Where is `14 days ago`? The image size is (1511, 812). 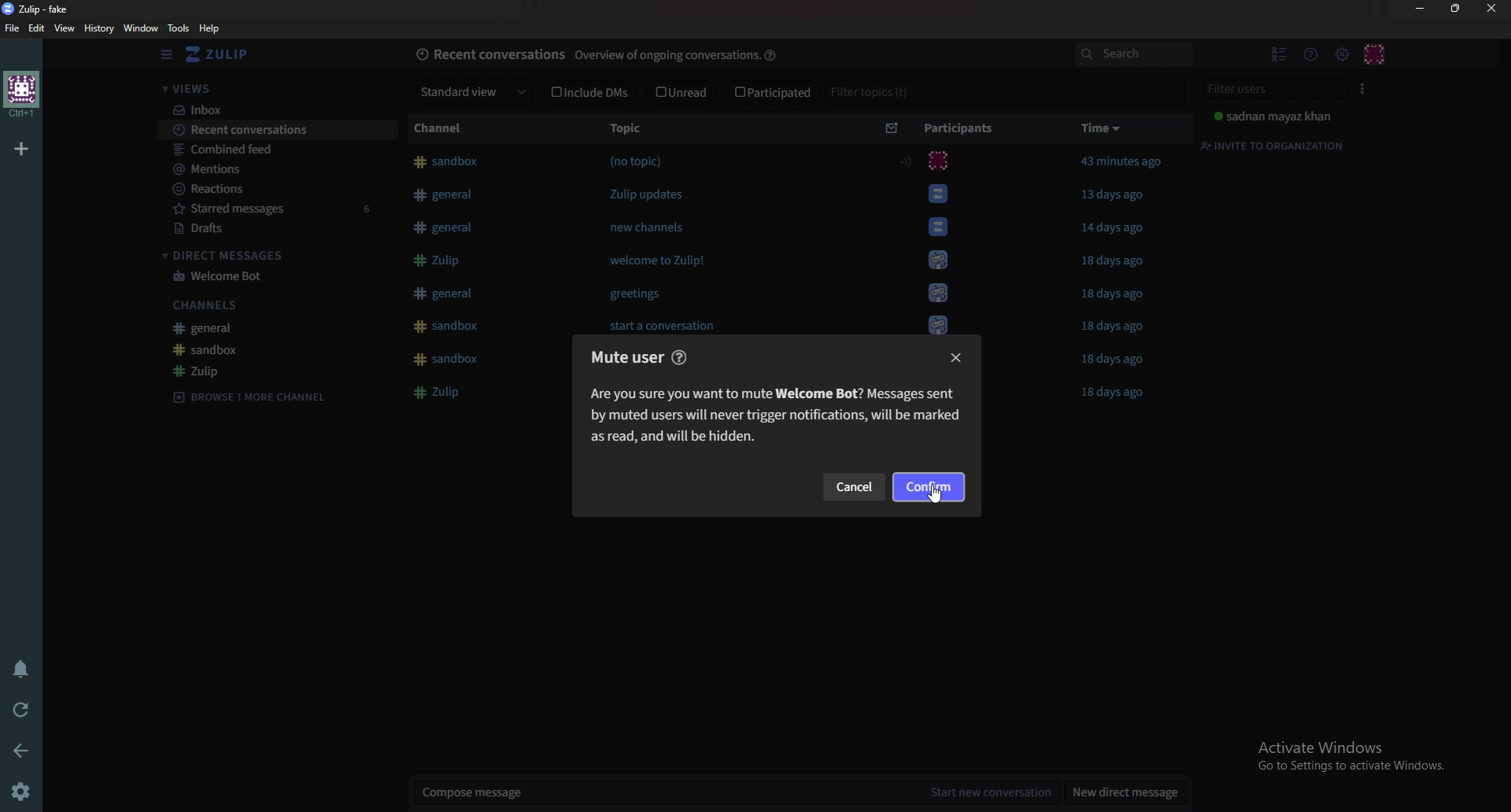
14 days ago is located at coordinates (1117, 227).